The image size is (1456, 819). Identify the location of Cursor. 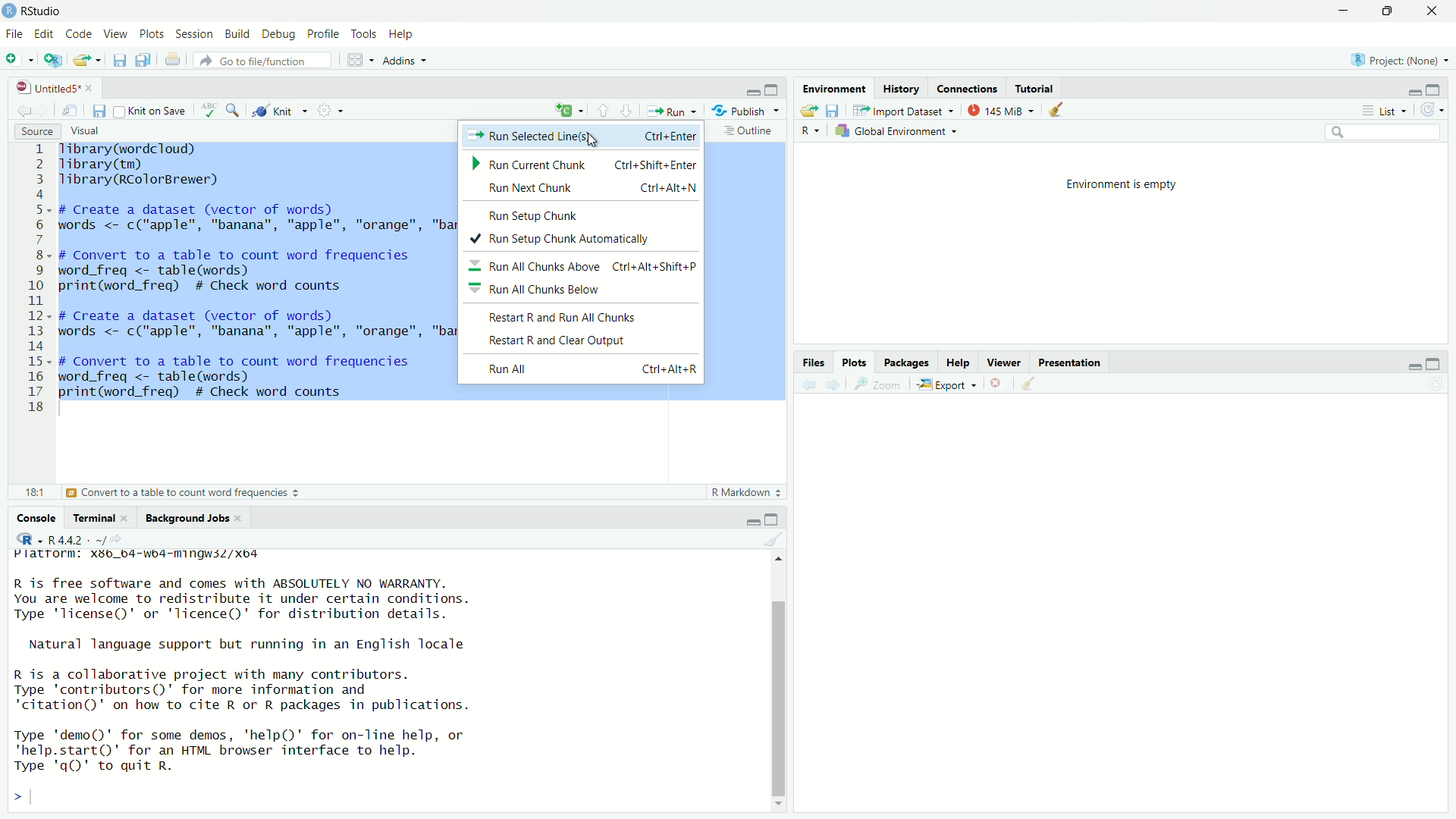
(590, 140).